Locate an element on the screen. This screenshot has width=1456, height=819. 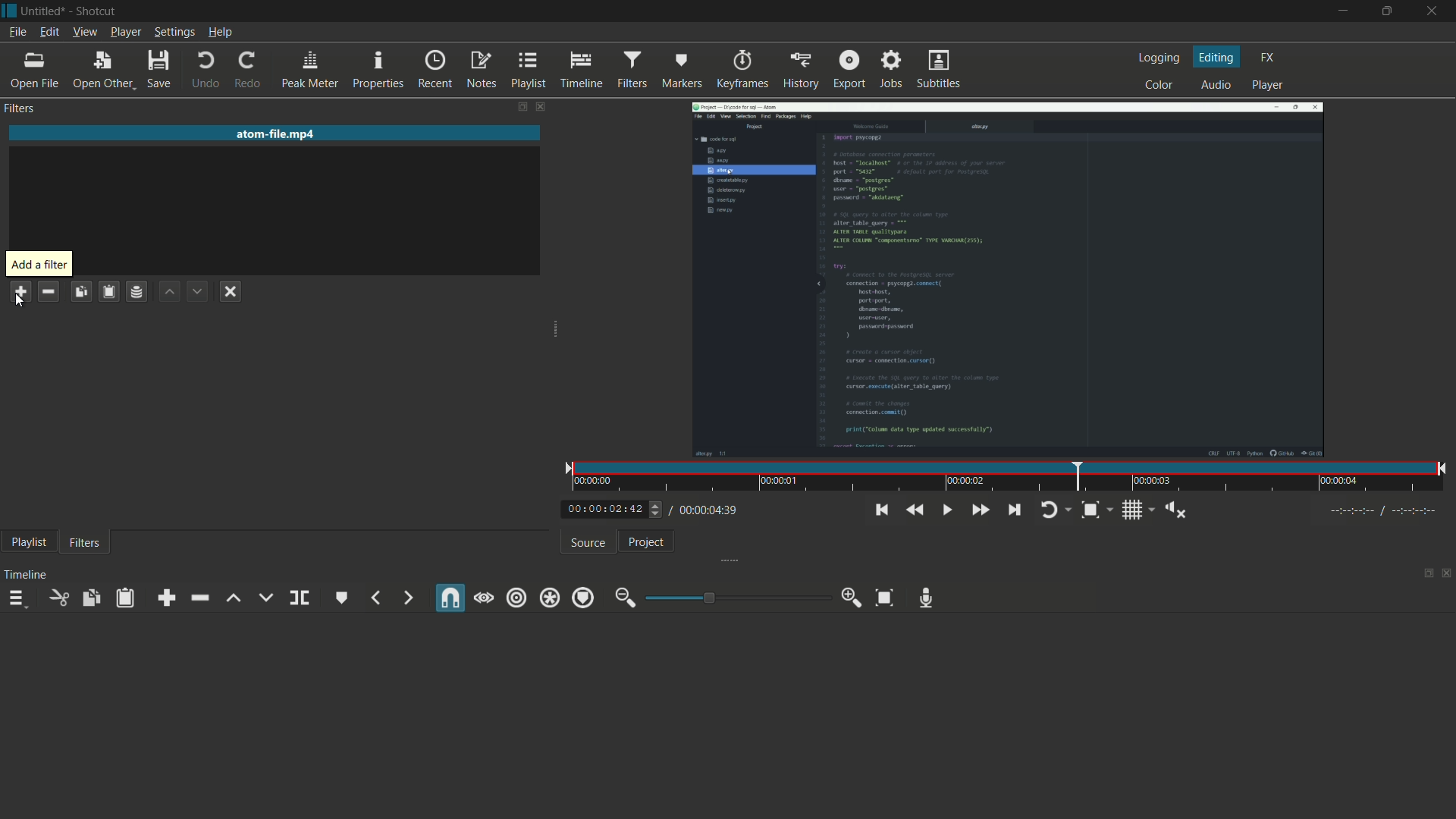
close timeline is located at coordinates (1447, 574).